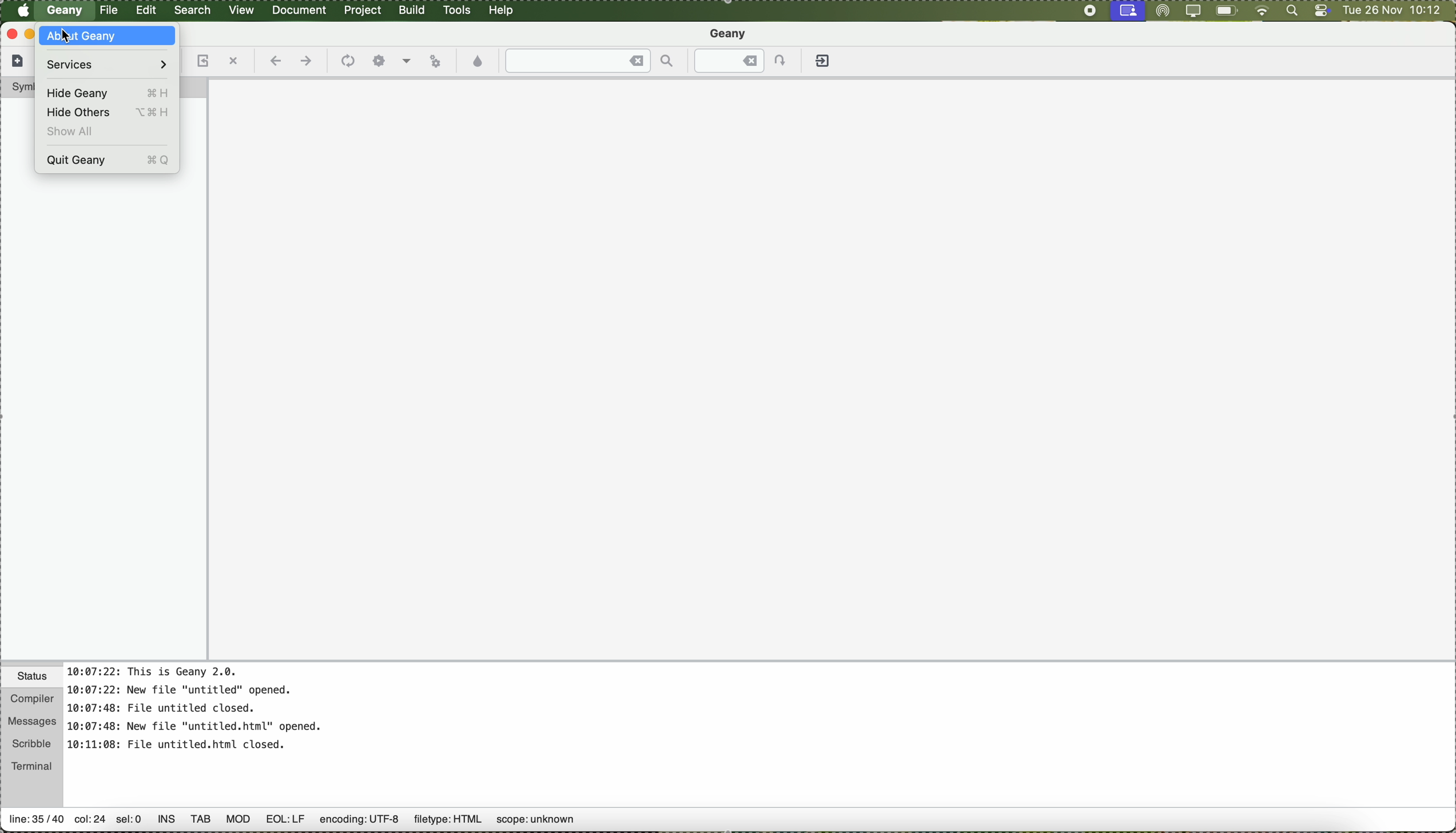  Describe the element at coordinates (366, 11) in the screenshot. I see `project` at that location.